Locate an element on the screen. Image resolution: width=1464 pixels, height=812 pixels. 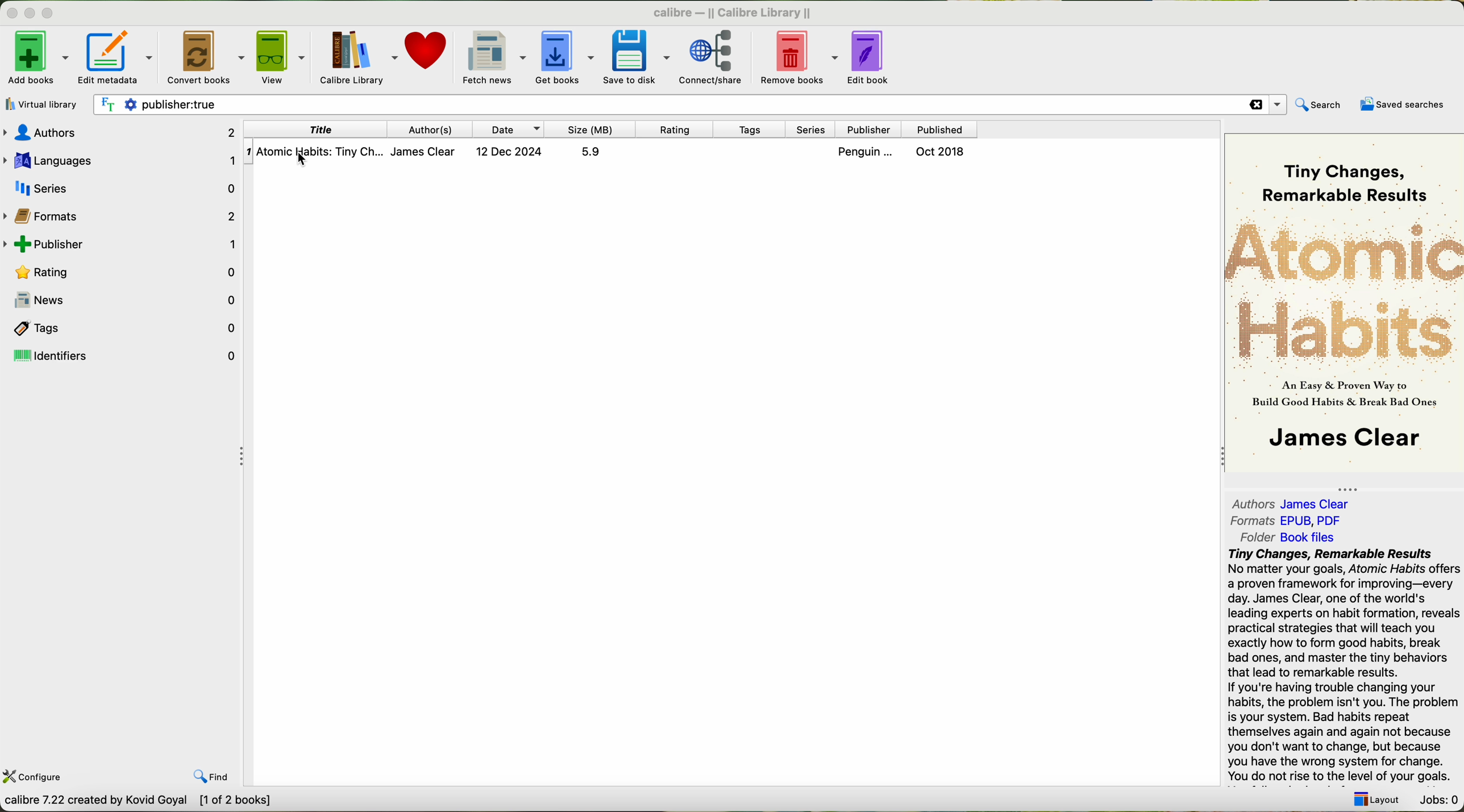
series is located at coordinates (810, 130).